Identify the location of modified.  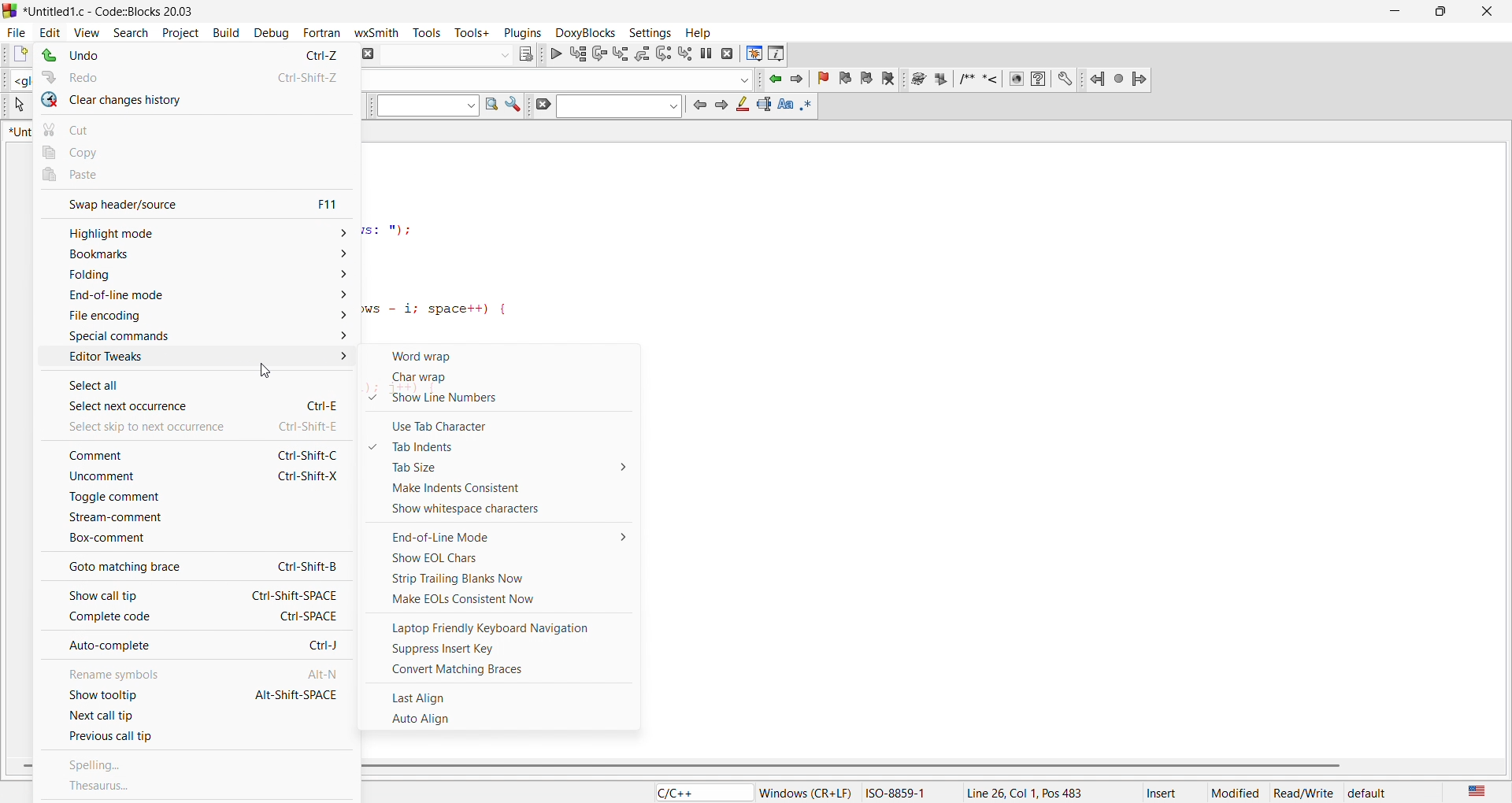
(1236, 791).